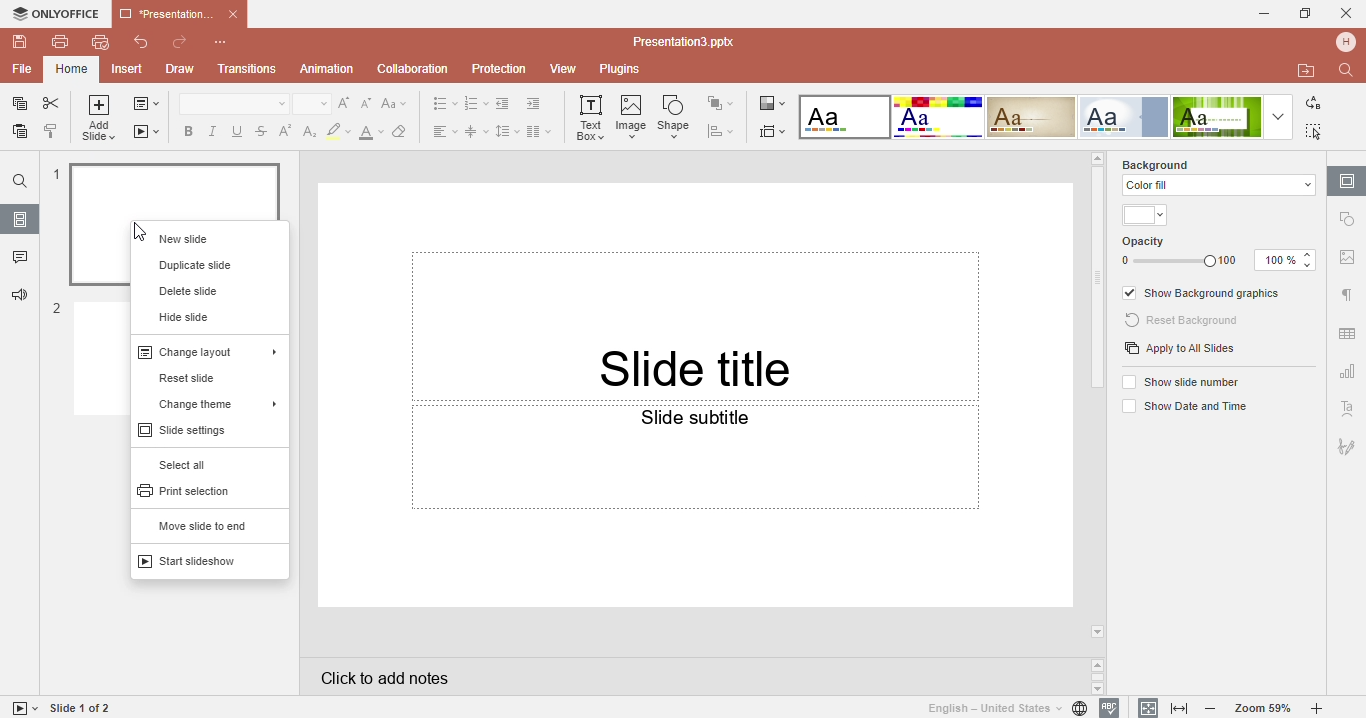 The height and width of the screenshot is (718, 1366). Describe the element at coordinates (540, 130) in the screenshot. I see `Insert columns` at that location.